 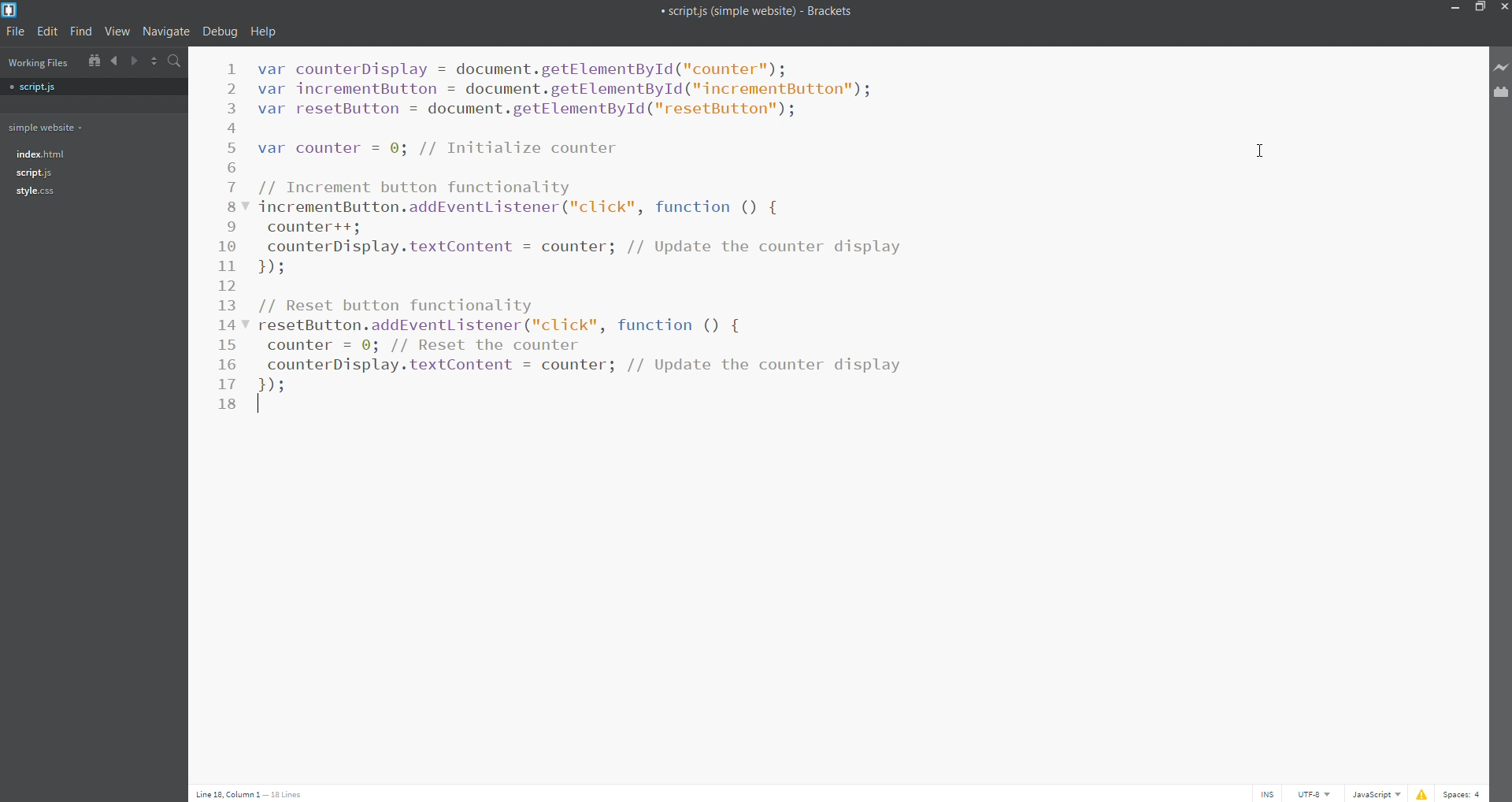 I want to click on working files , so click(x=38, y=62).